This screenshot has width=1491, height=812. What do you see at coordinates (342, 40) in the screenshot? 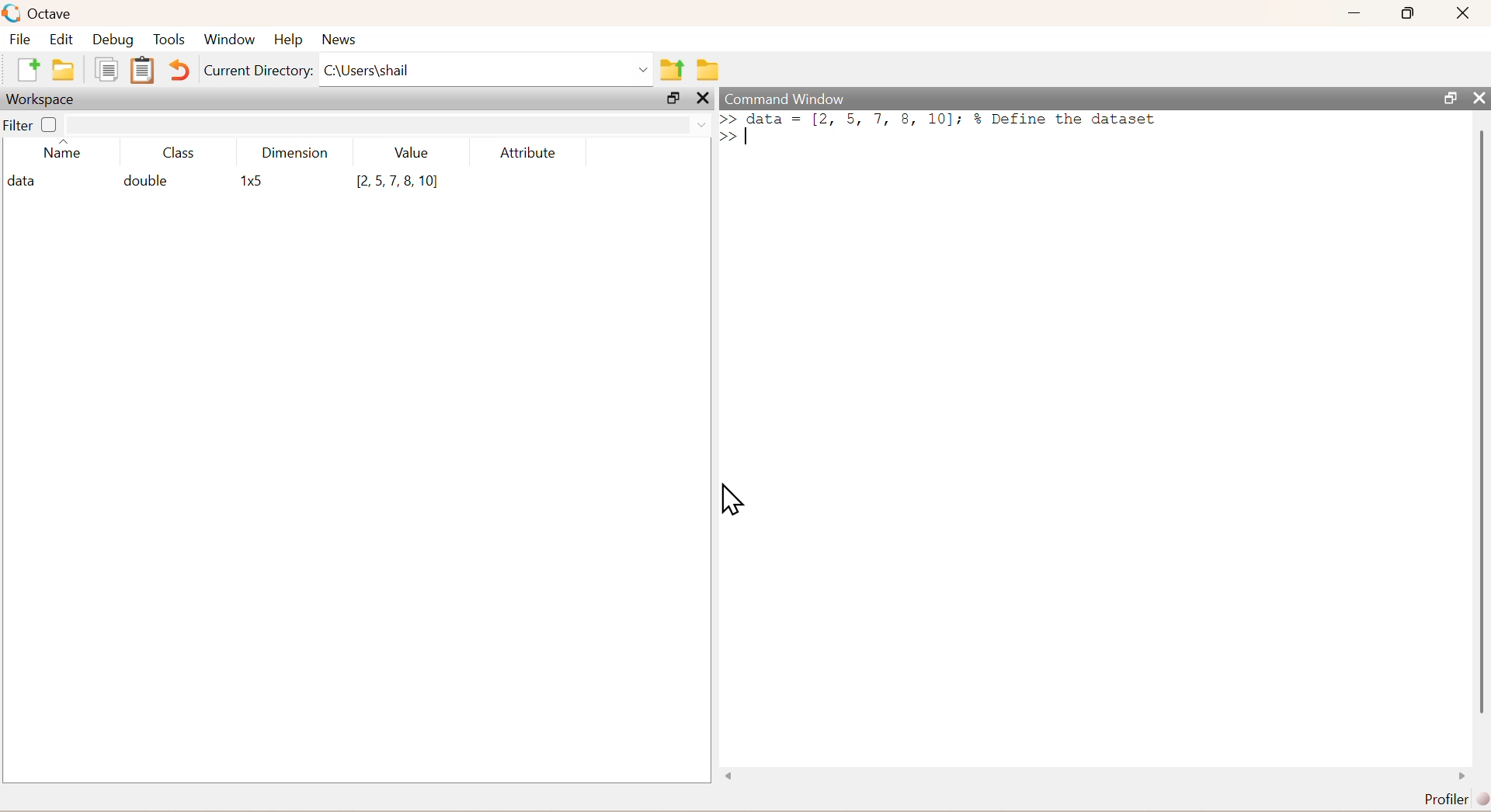
I see `news` at bounding box center [342, 40].